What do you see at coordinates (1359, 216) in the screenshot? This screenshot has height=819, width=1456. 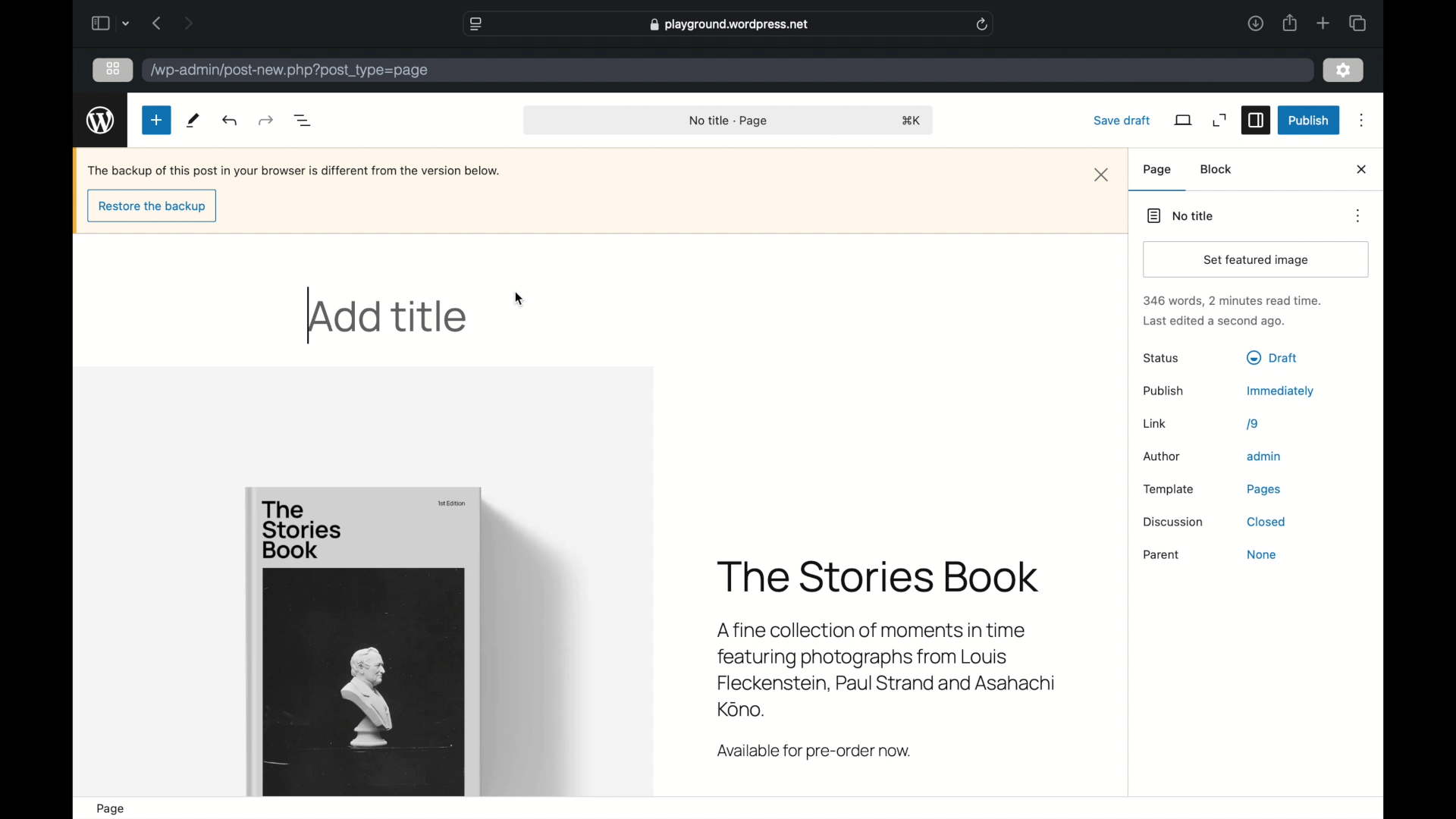 I see `more options` at bounding box center [1359, 216].